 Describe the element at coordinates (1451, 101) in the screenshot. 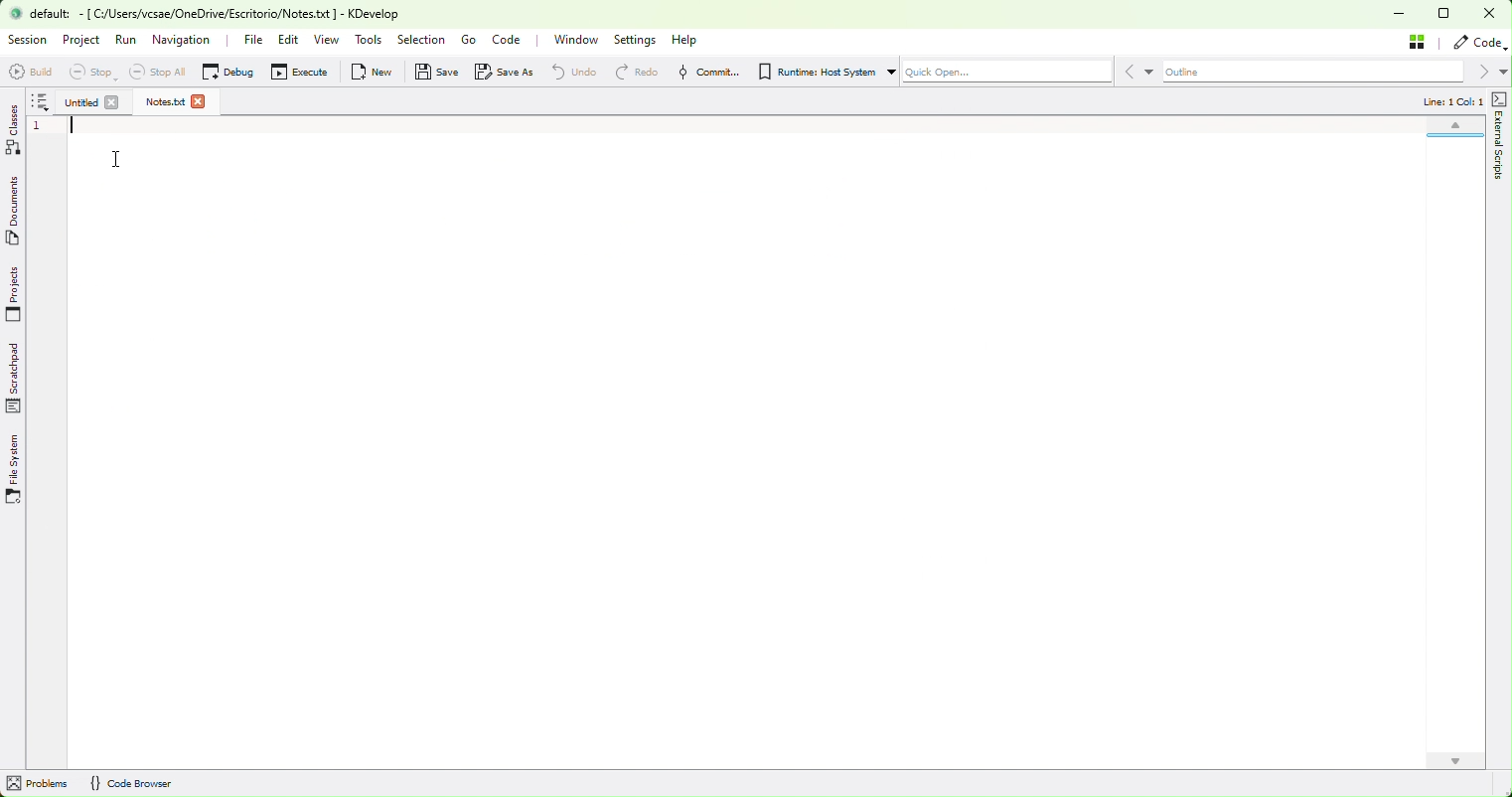

I see `Line: 1 Col: 1` at that location.